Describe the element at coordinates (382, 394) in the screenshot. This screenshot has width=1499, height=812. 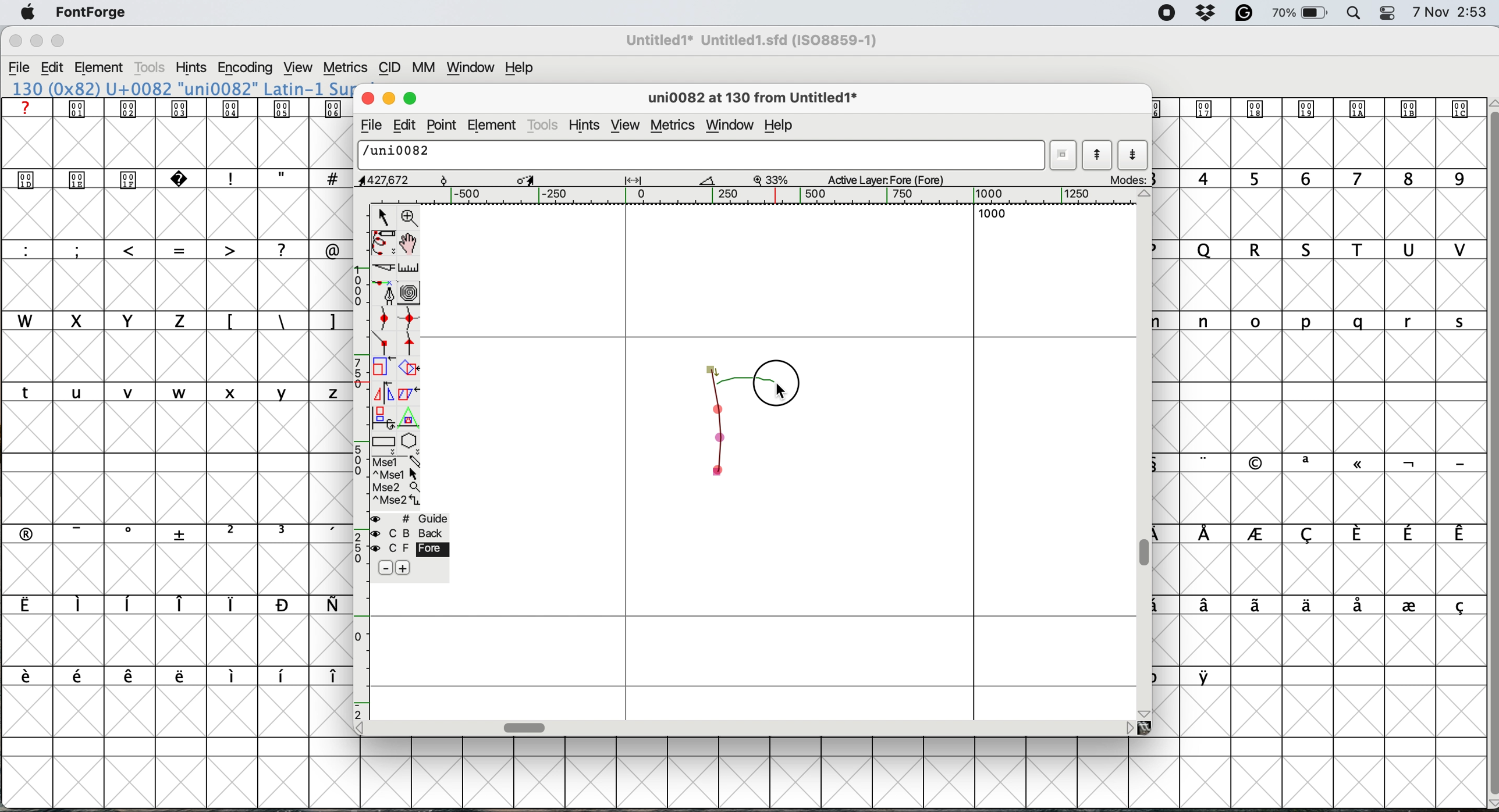
I see `flip selection` at that location.